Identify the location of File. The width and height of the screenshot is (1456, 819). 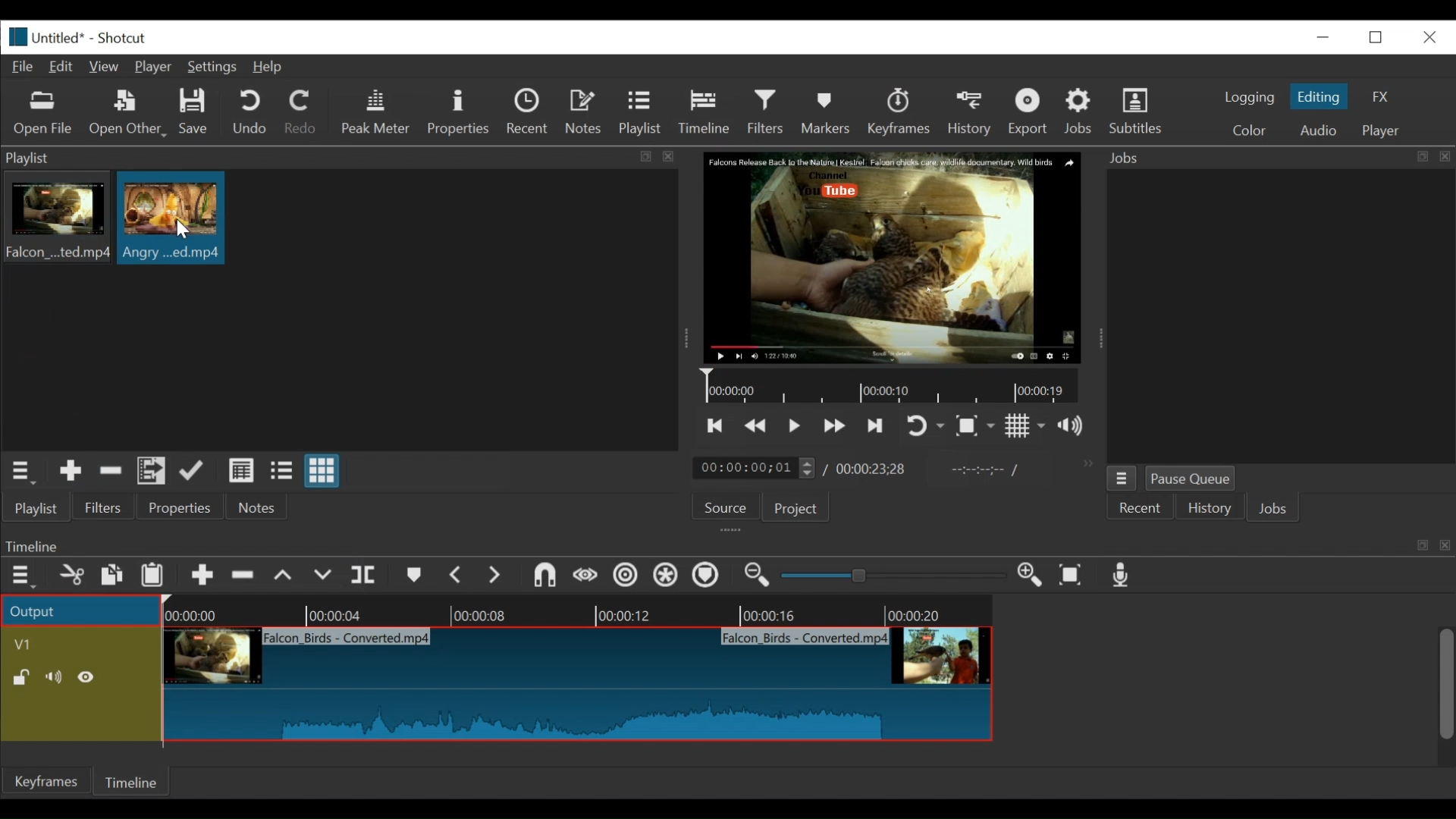
(26, 67).